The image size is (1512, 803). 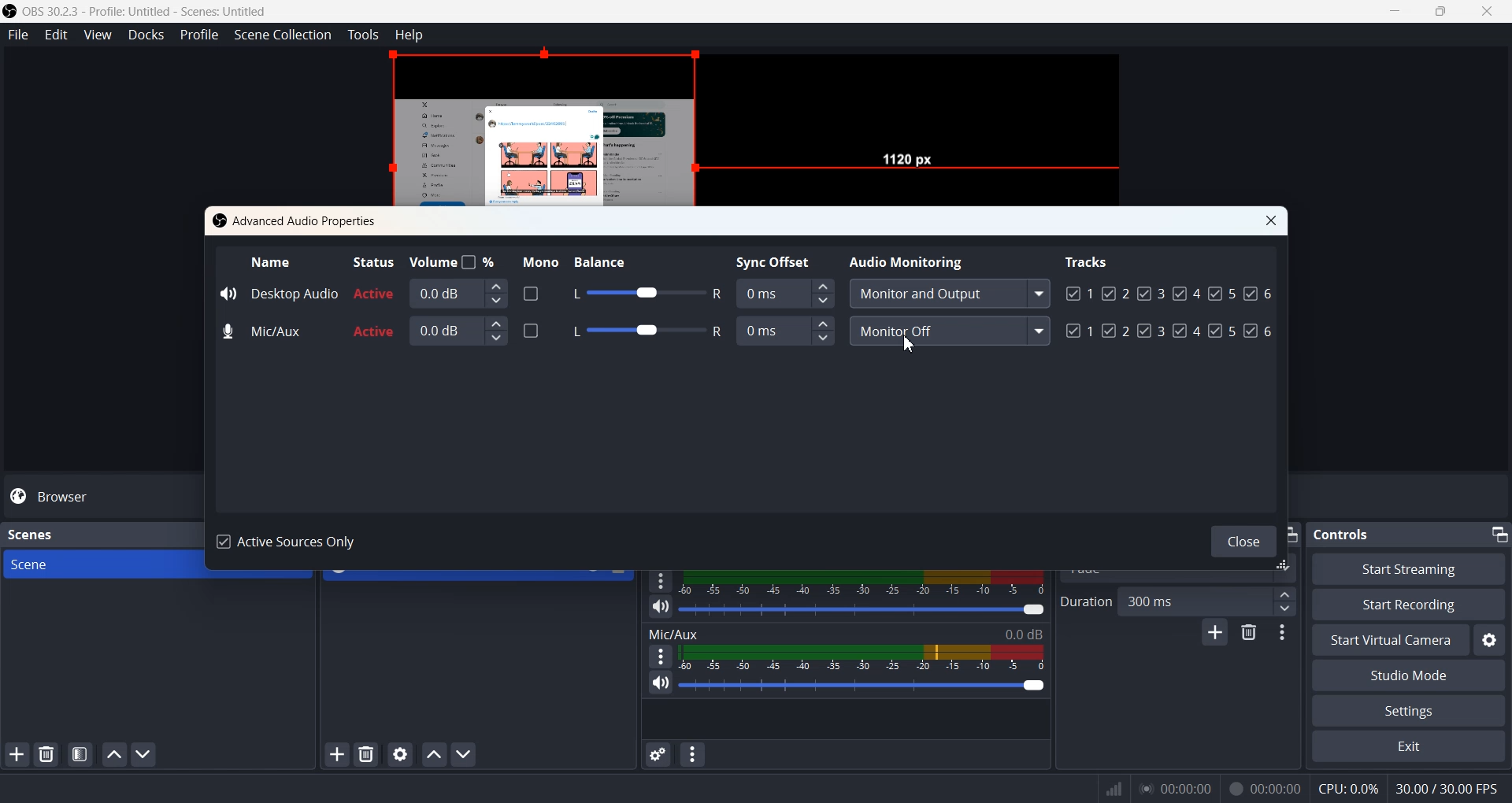 I want to click on Audio mixer menu, so click(x=694, y=754).